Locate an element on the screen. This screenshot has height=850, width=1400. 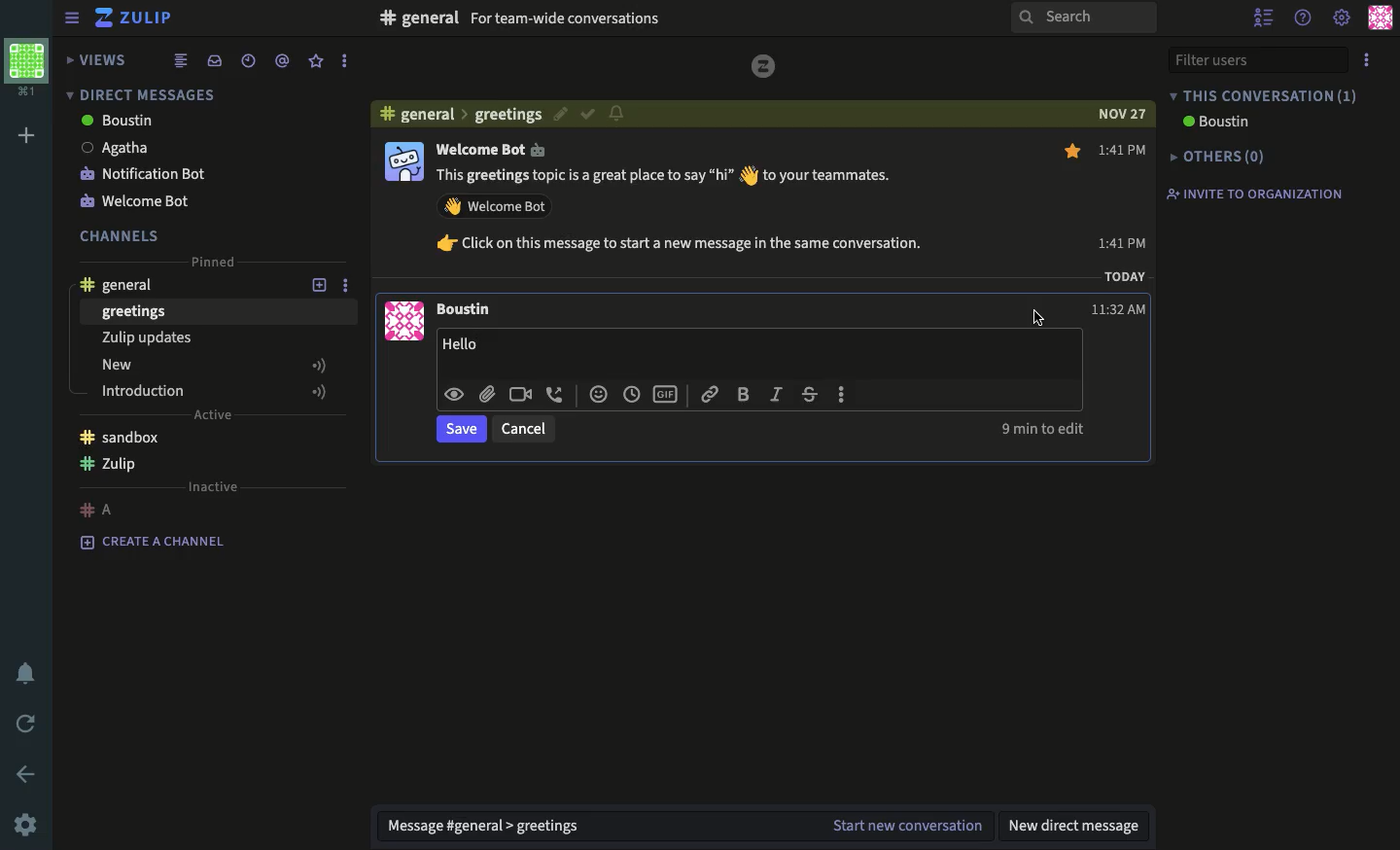
notification is located at coordinates (24, 675).